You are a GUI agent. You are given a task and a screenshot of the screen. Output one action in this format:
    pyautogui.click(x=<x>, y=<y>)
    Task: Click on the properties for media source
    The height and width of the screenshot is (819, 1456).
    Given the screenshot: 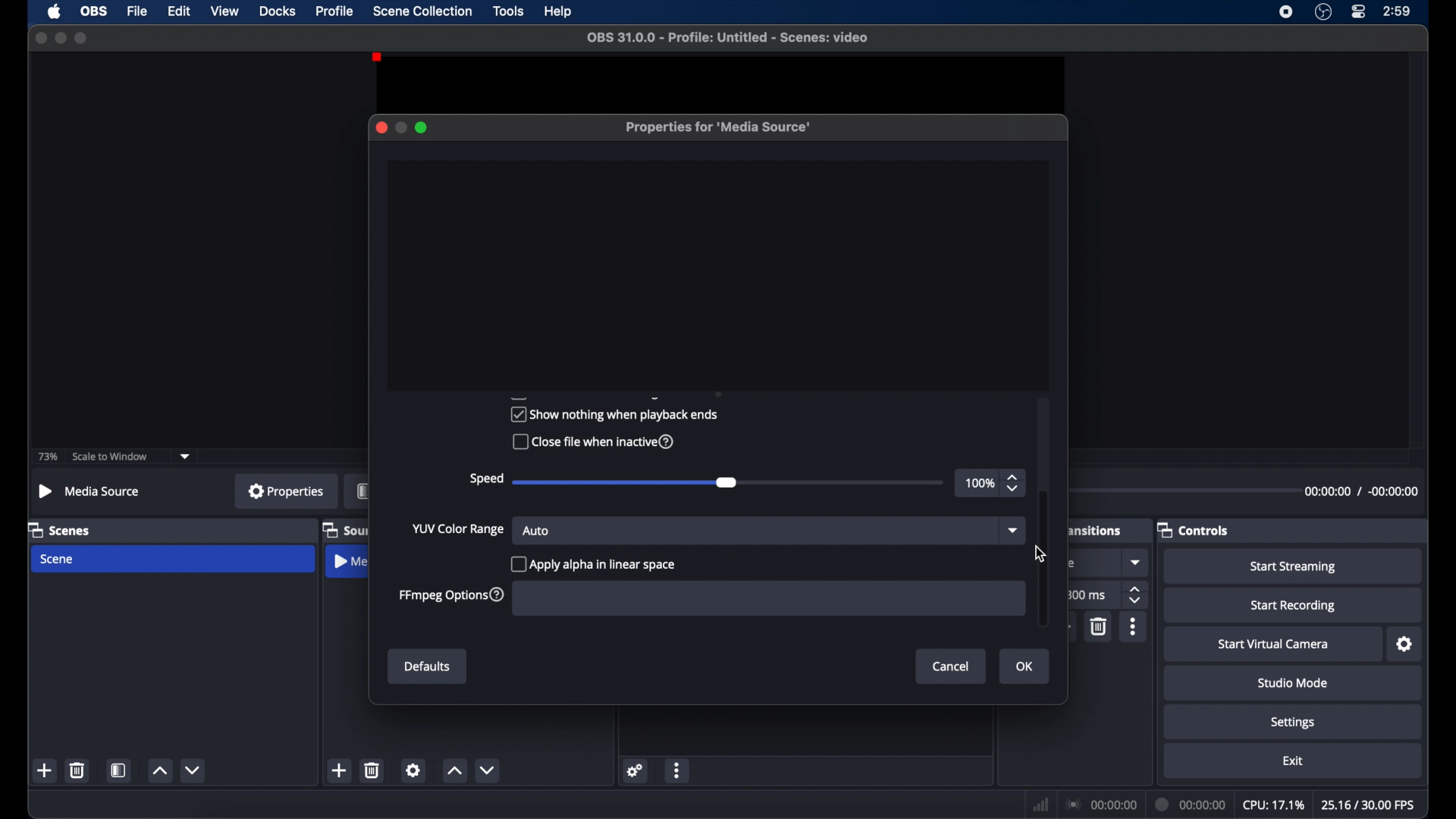 What is the action you would take?
    pyautogui.click(x=717, y=127)
    